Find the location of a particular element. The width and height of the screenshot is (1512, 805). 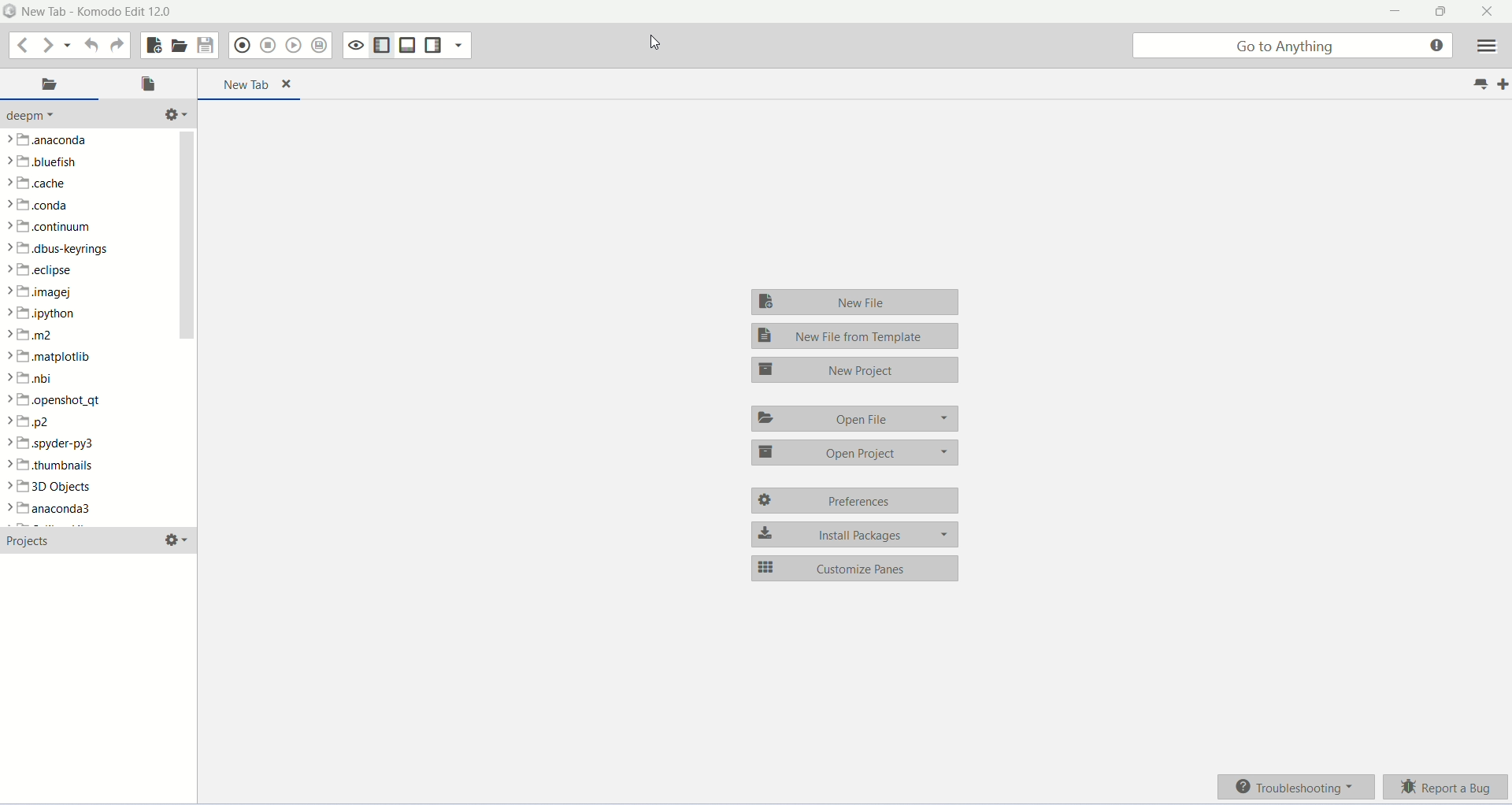

stop recording macro is located at coordinates (269, 44).